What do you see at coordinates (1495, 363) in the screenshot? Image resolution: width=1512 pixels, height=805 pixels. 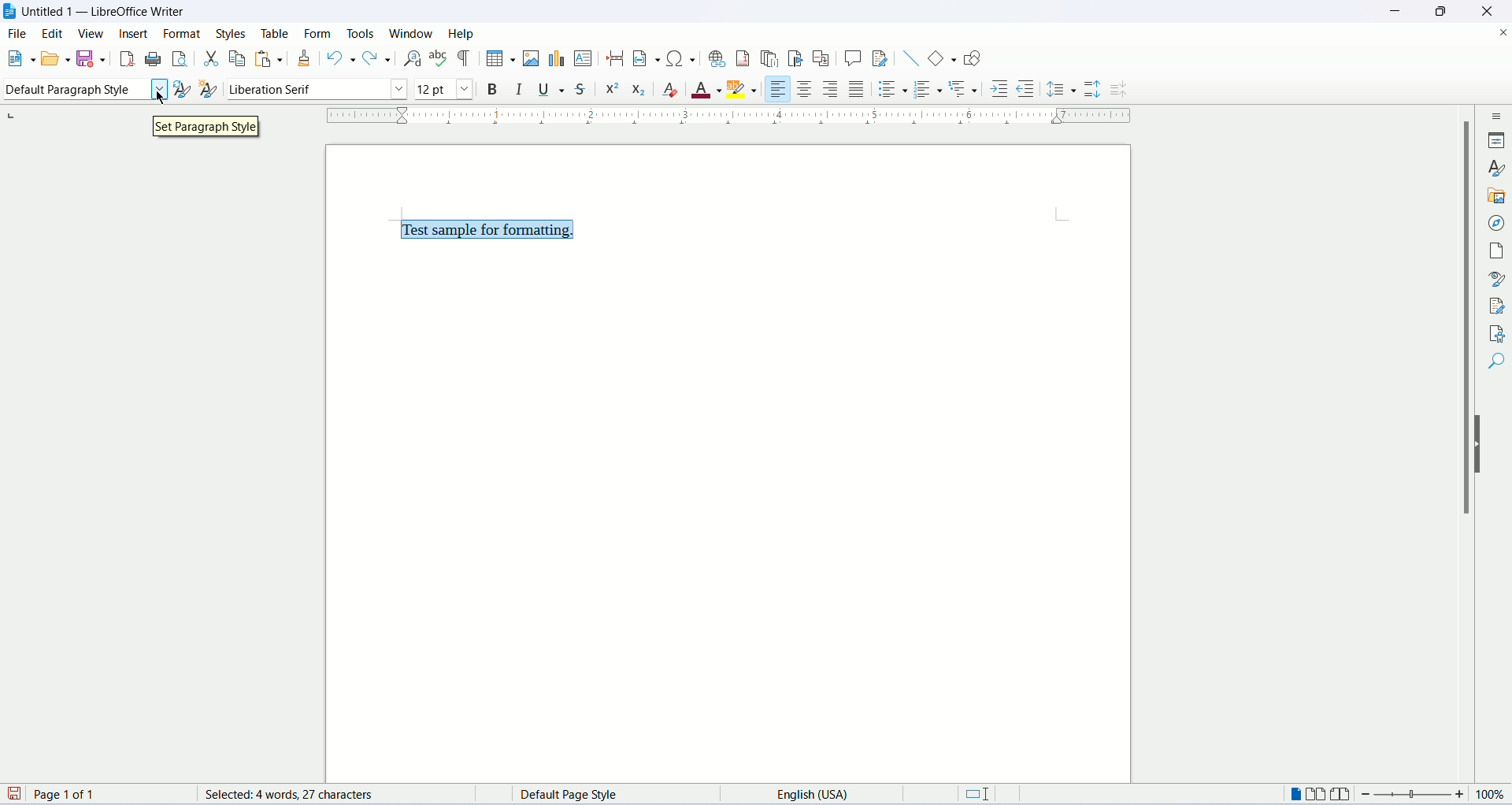 I see `find` at bounding box center [1495, 363].